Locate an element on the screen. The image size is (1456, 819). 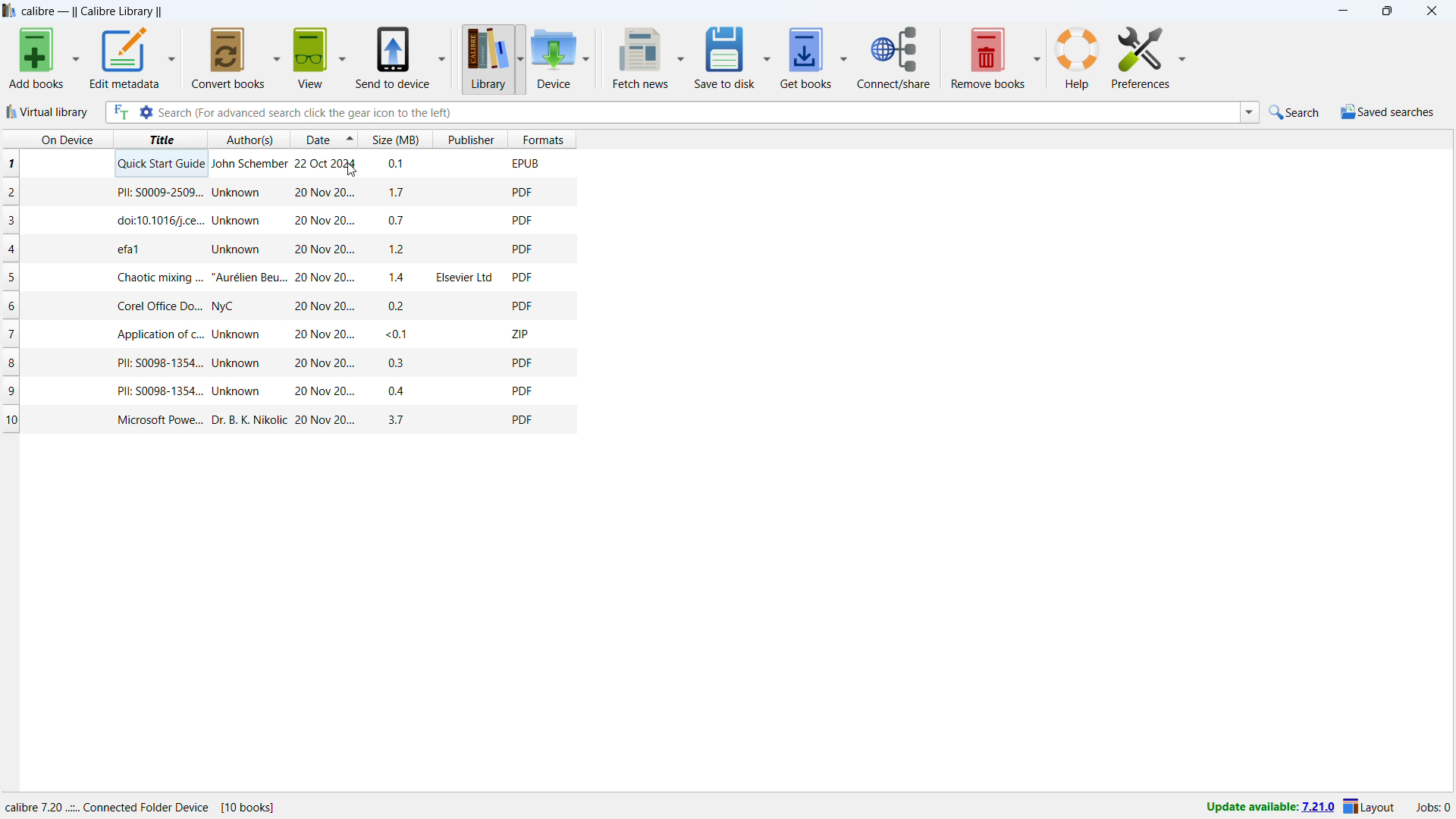
sort by authors is located at coordinates (249, 140).